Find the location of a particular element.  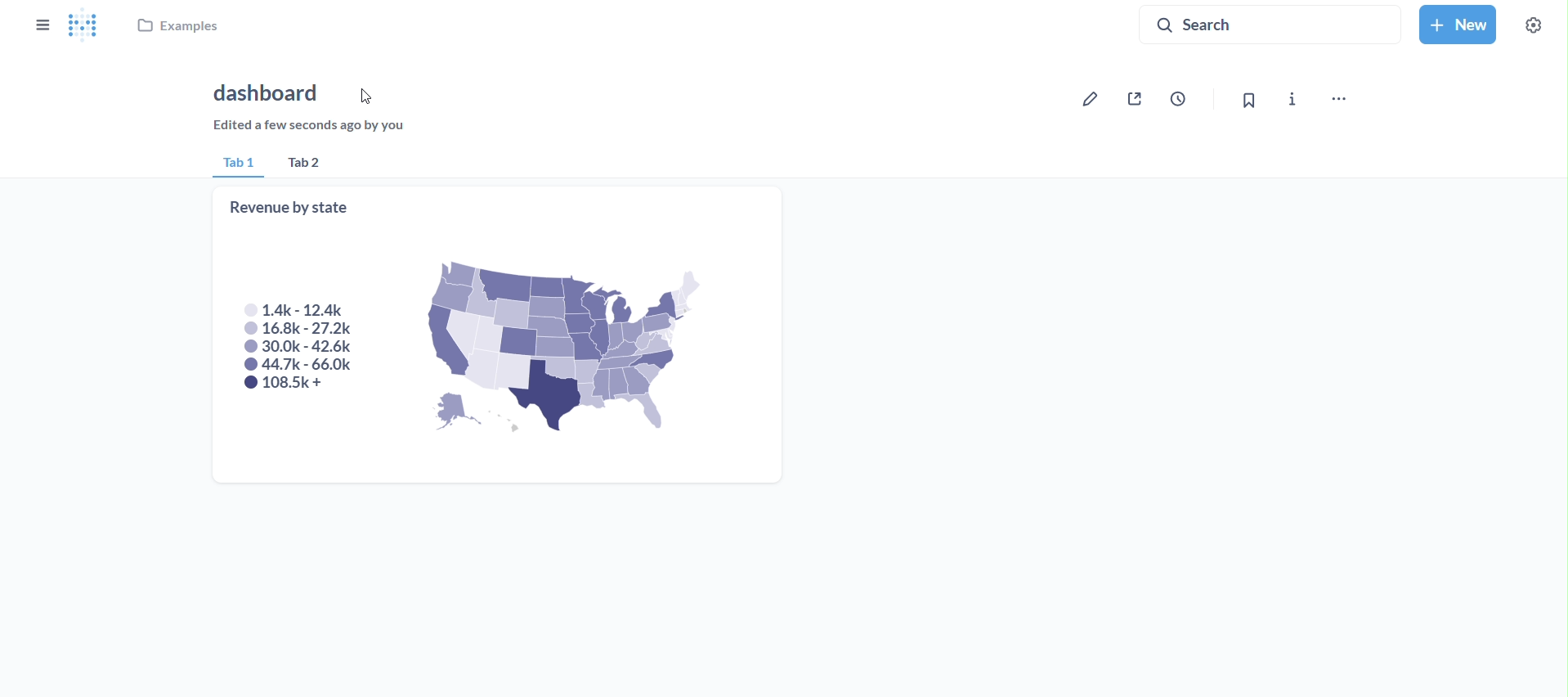

new is located at coordinates (1456, 22).